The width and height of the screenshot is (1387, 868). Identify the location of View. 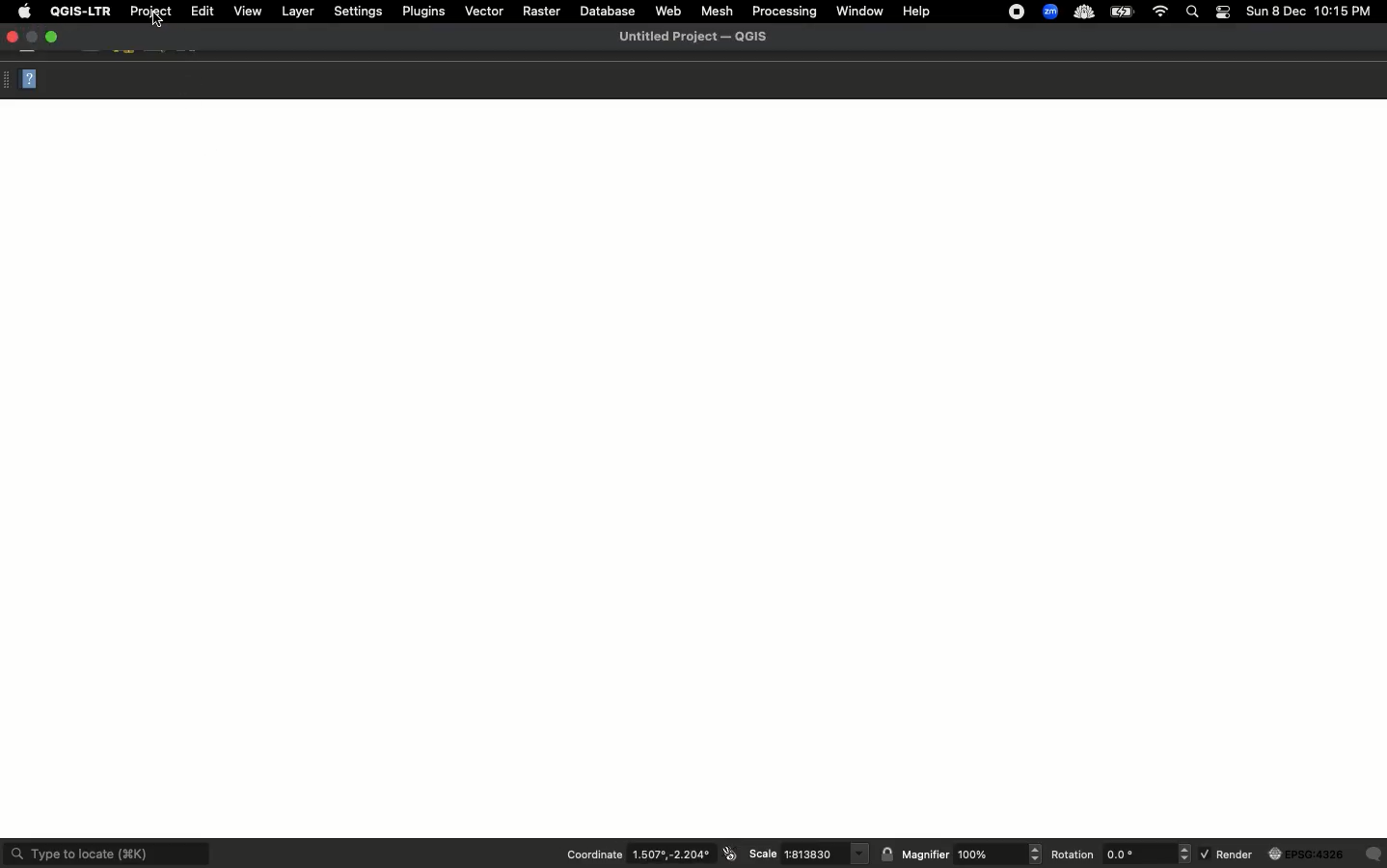
(247, 11).